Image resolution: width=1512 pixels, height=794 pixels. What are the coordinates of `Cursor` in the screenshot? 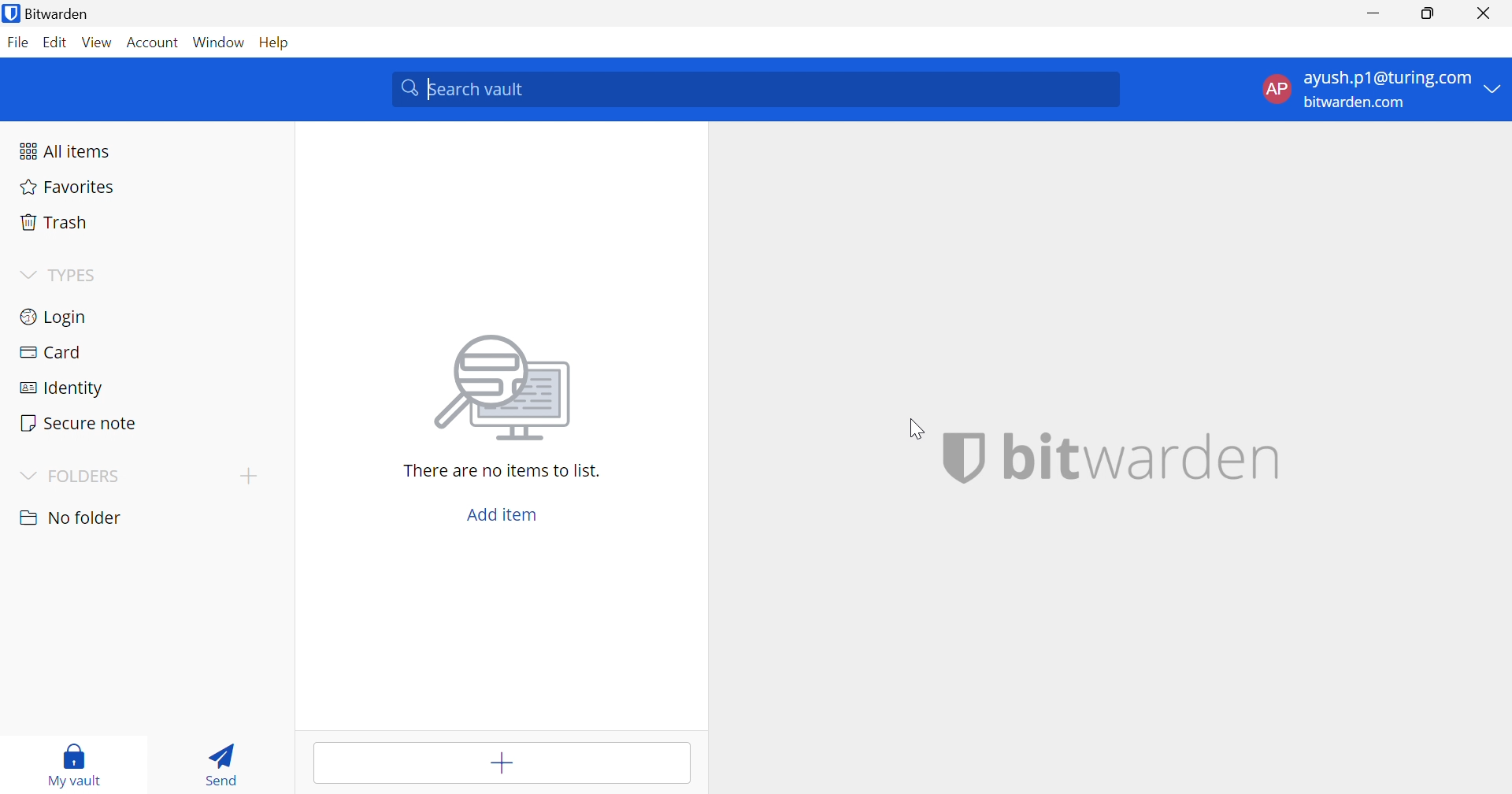 It's located at (918, 428).